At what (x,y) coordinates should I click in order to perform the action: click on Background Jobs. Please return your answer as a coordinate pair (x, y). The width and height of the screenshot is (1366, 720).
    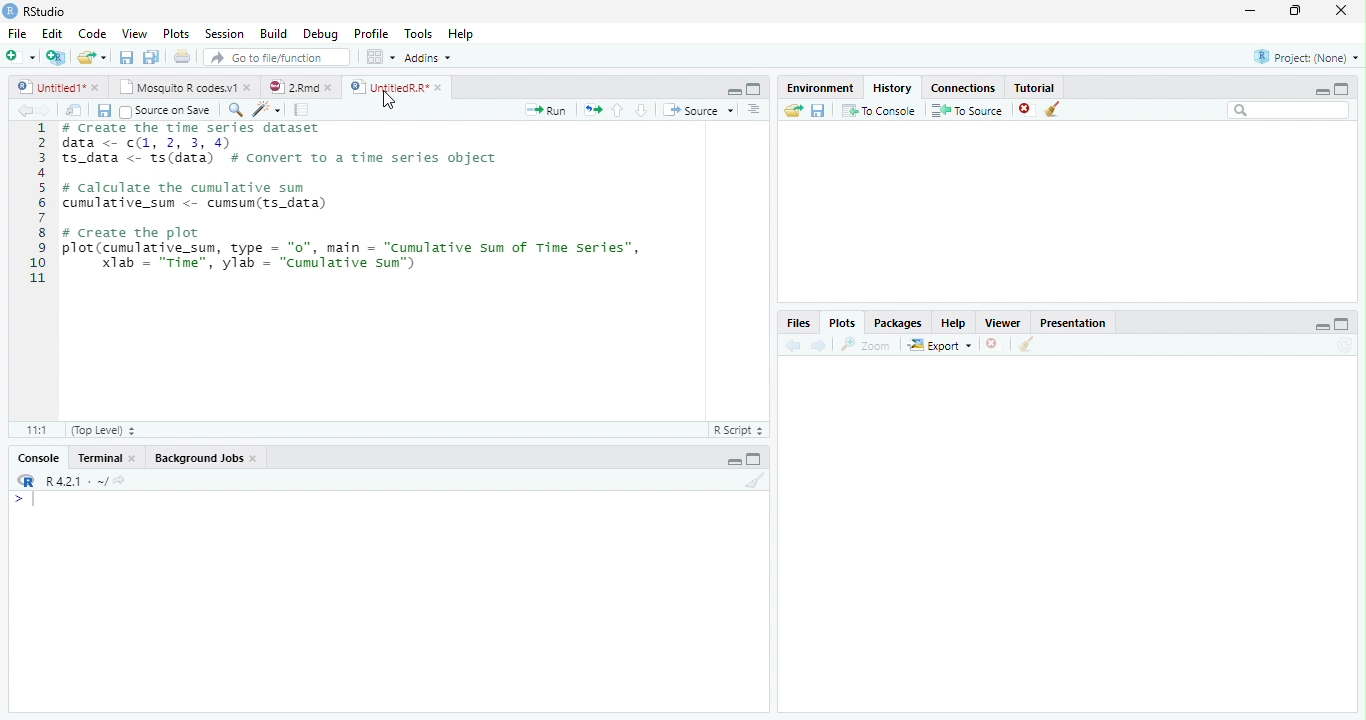
    Looking at the image, I should click on (207, 457).